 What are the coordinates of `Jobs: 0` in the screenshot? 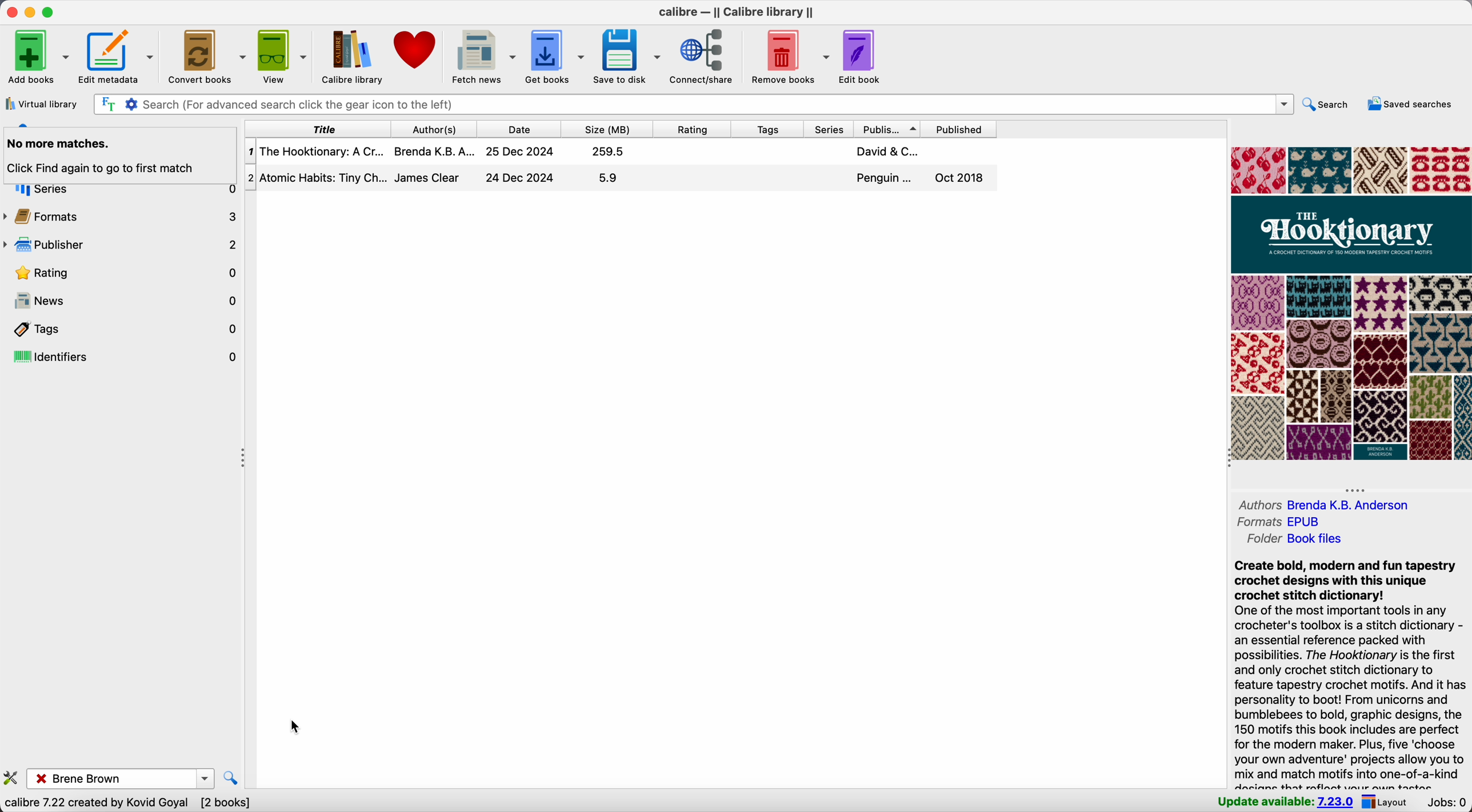 It's located at (1447, 802).